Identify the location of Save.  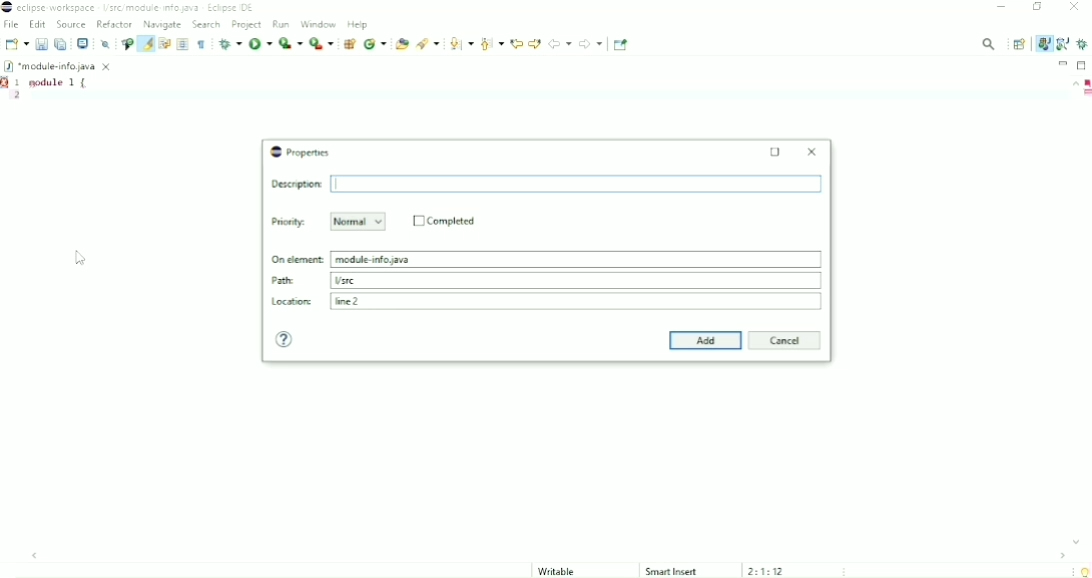
(41, 44).